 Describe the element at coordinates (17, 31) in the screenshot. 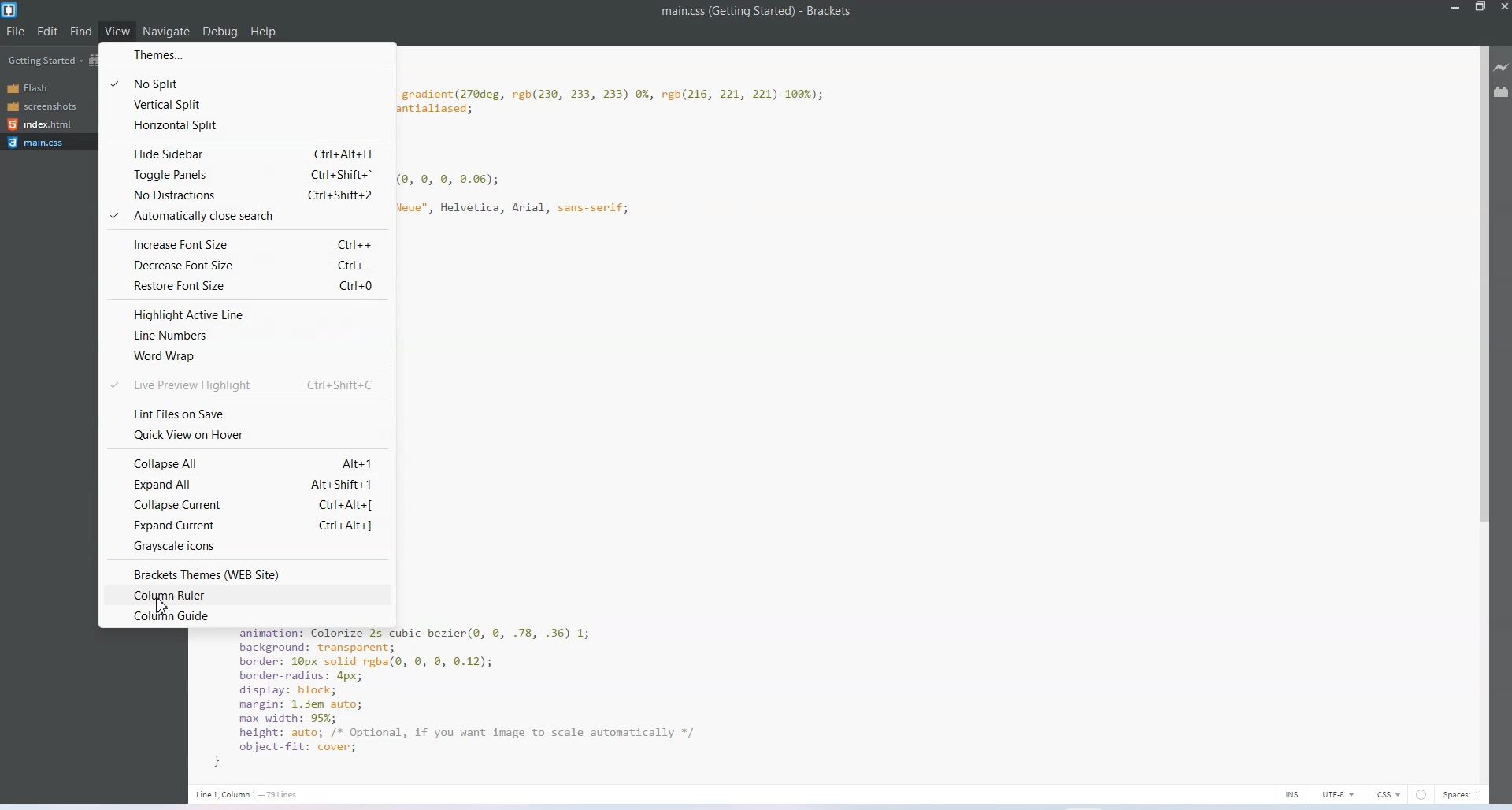

I see `File` at that location.